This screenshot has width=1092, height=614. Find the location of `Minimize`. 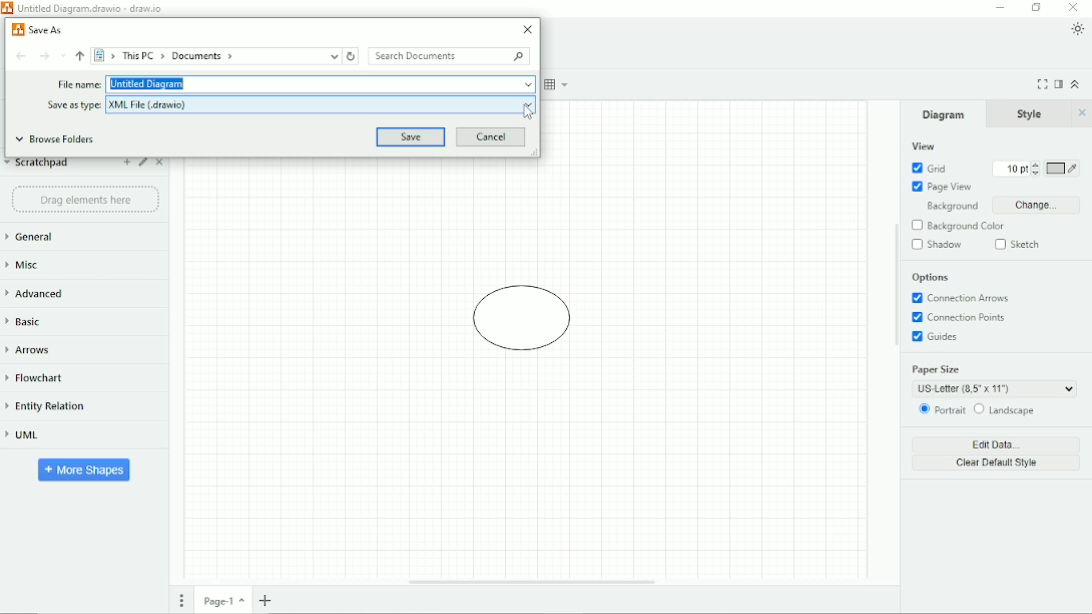

Minimize is located at coordinates (1001, 7).